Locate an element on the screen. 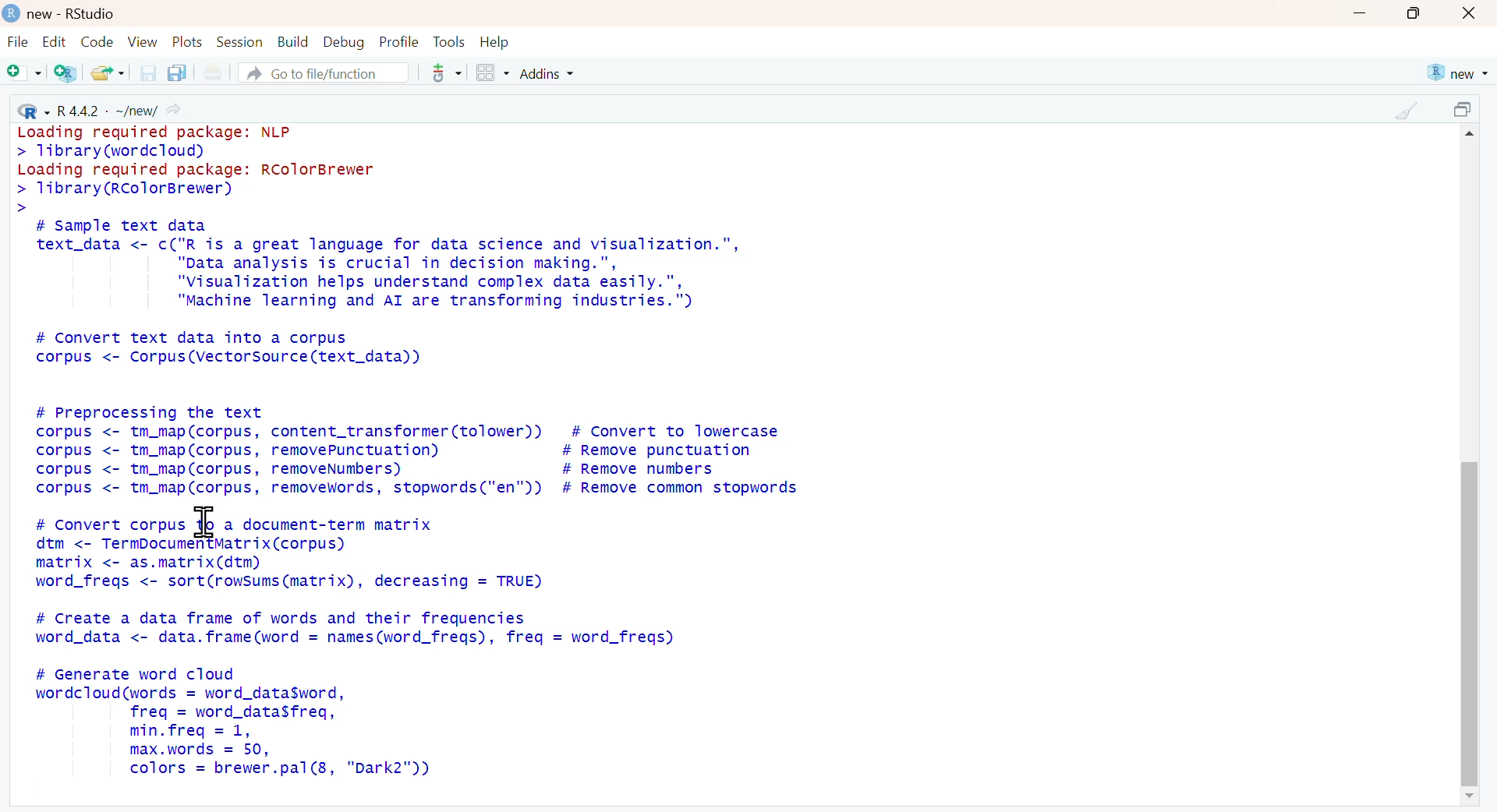 The height and width of the screenshot is (812, 1497). maximize is located at coordinates (1467, 110).